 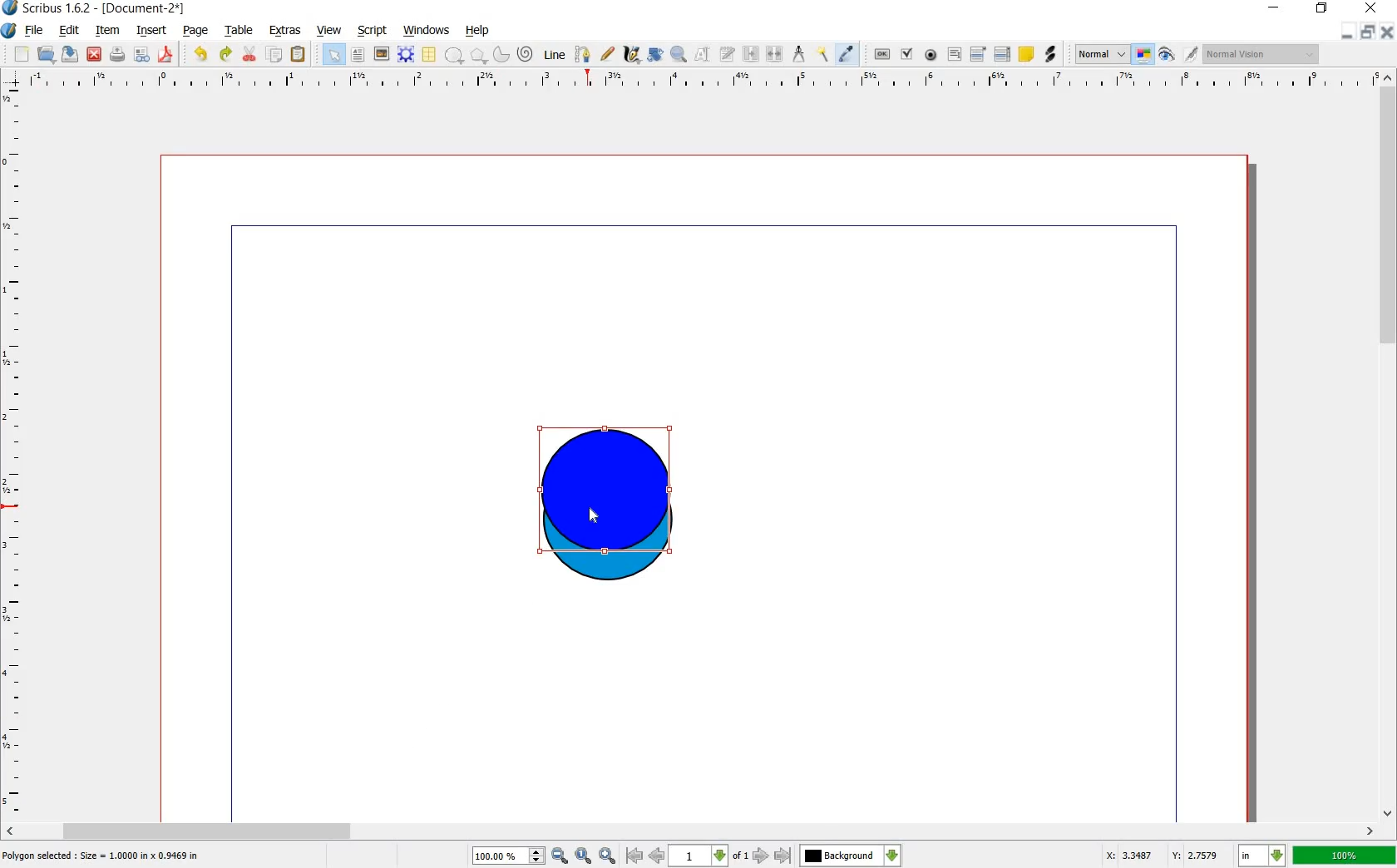 What do you see at coordinates (13, 451) in the screenshot?
I see `ruler` at bounding box center [13, 451].